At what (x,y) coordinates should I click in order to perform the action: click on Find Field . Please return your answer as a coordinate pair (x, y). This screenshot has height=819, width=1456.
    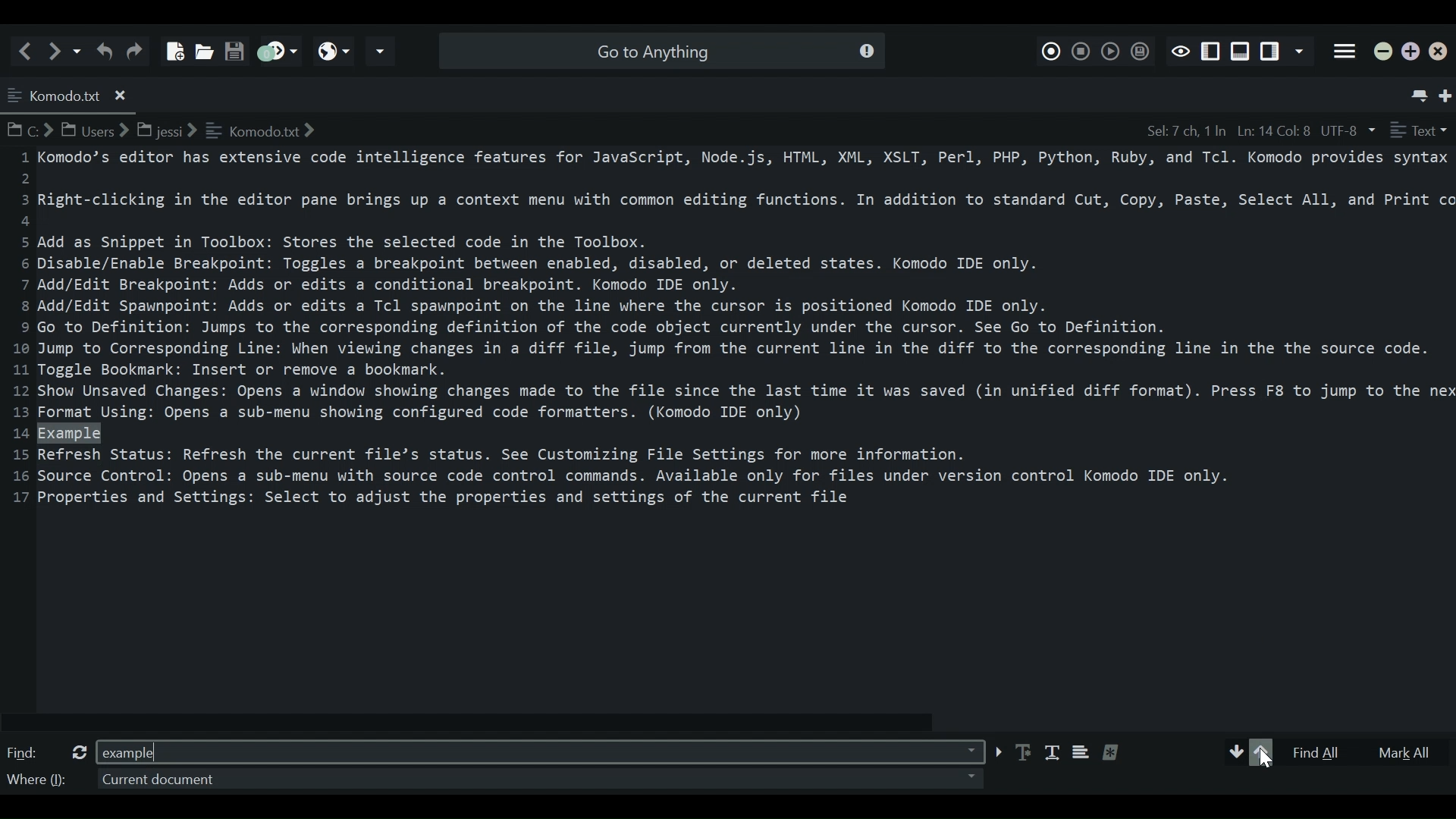
    Looking at the image, I should click on (538, 750).